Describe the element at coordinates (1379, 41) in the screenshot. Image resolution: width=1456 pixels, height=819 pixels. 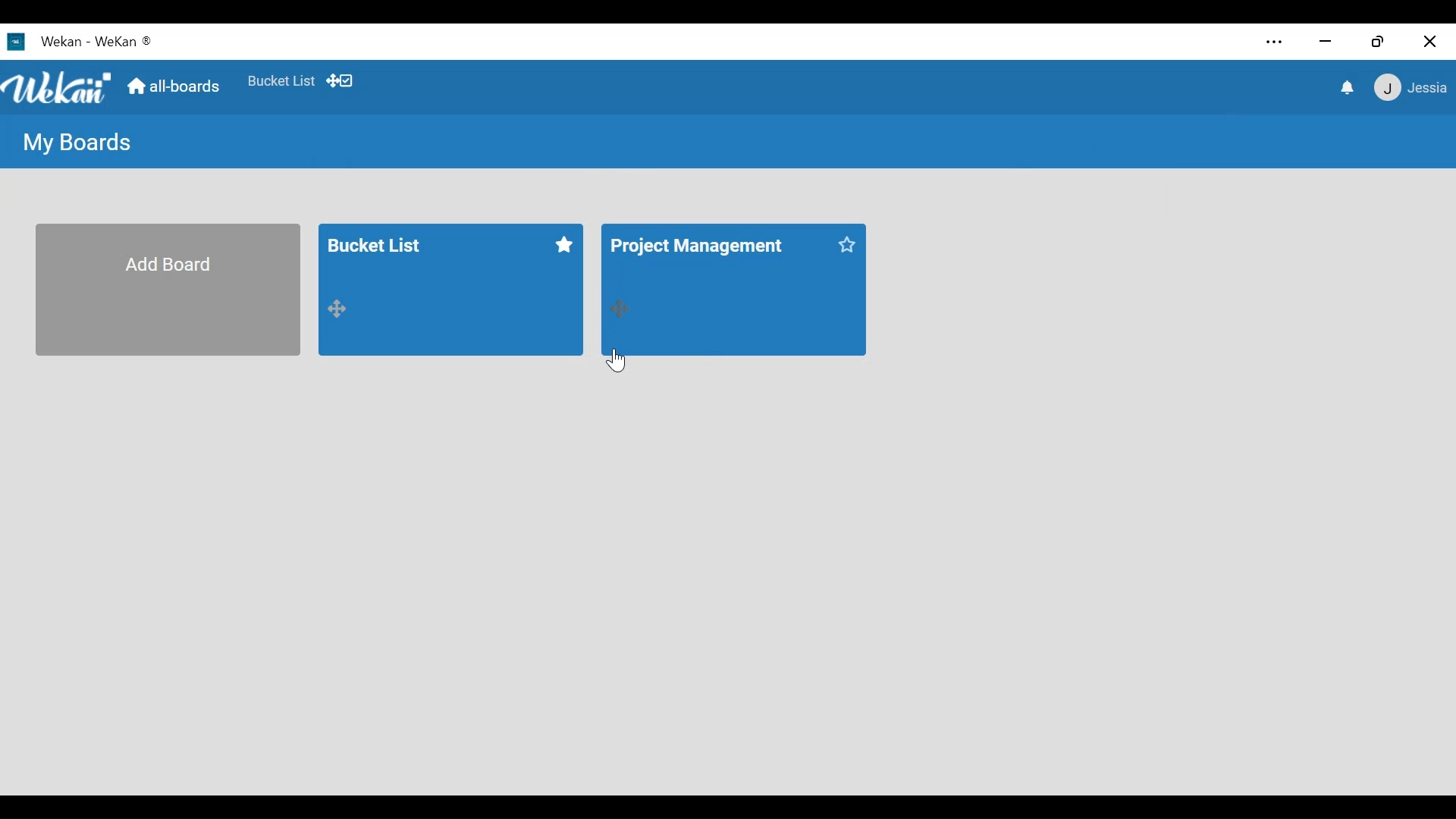
I see `Restore` at that location.